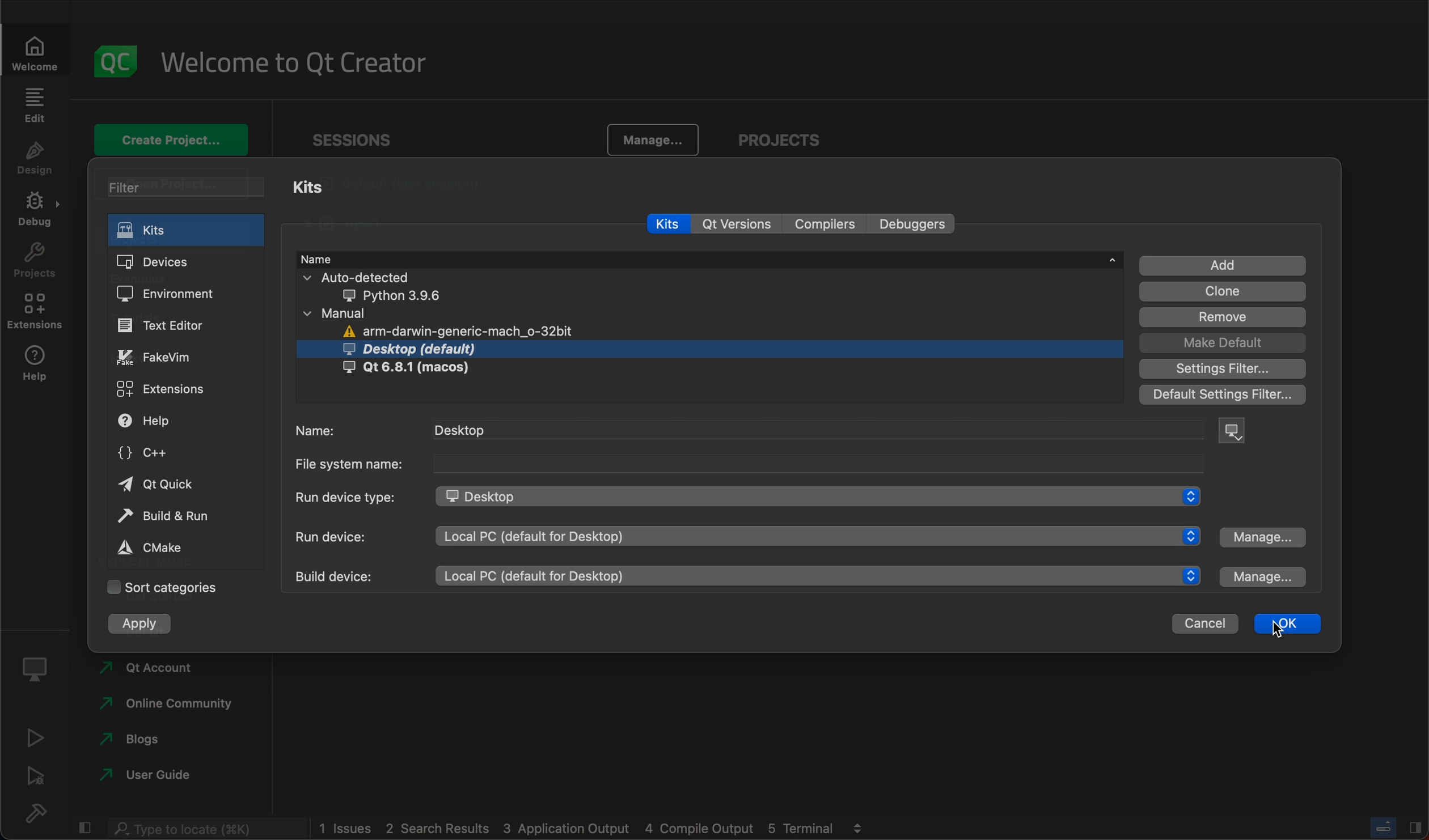 This screenshot has width=1429, height=840. I want to click on filter, so click(189, 188).